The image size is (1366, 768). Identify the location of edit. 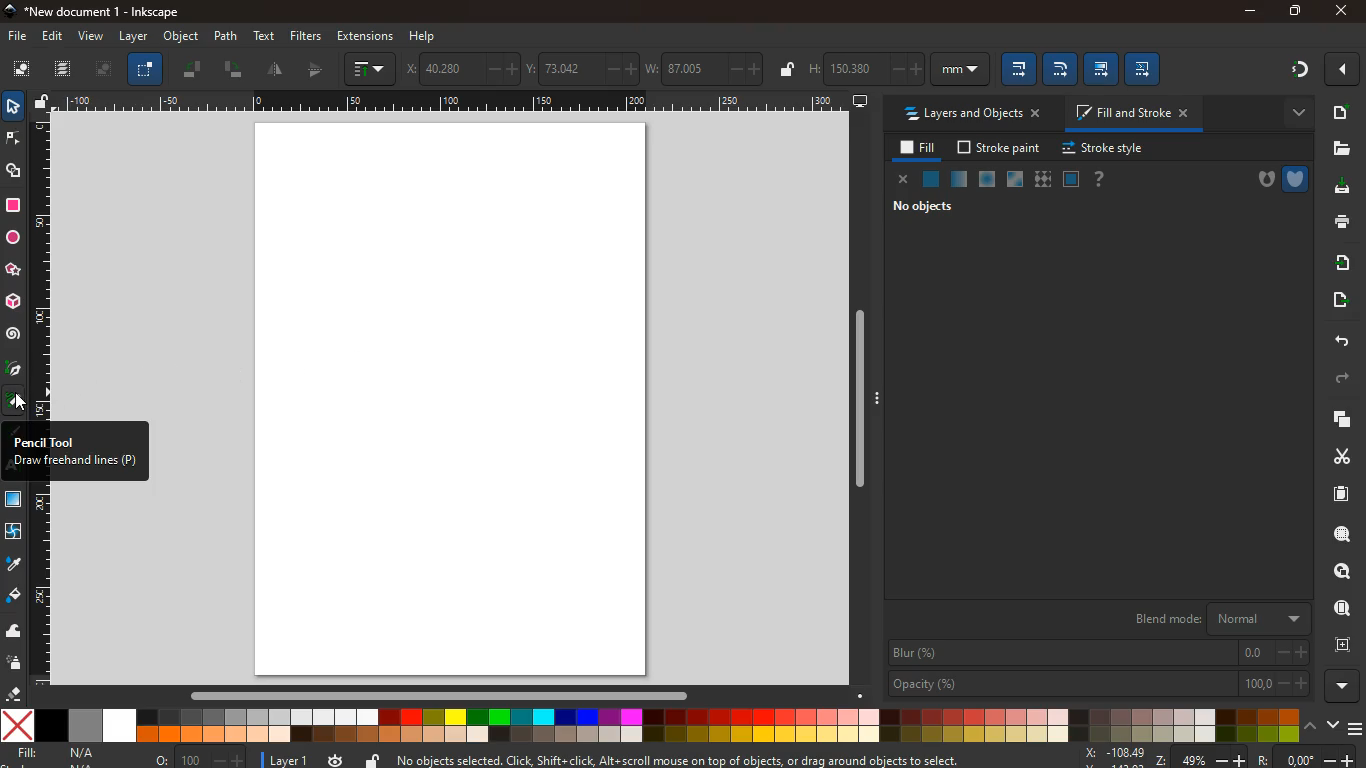
(1019, 69).